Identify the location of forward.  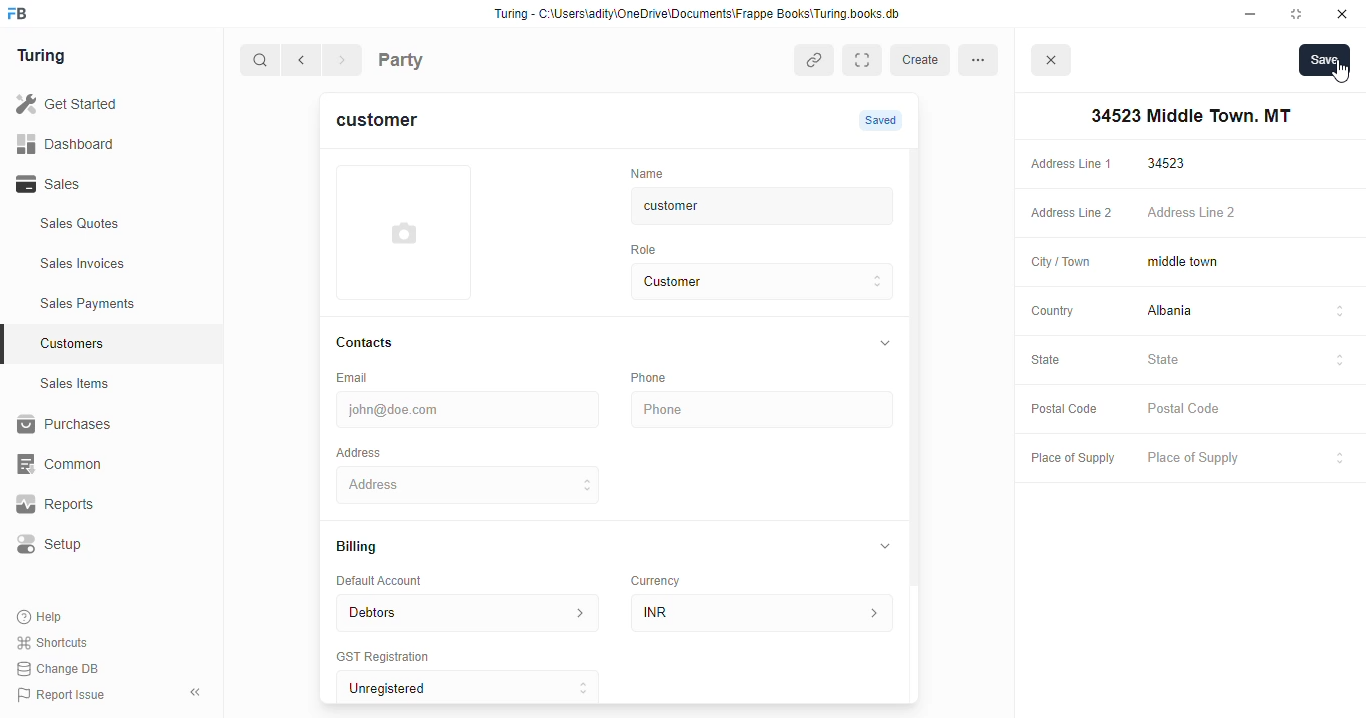
(344, 62).